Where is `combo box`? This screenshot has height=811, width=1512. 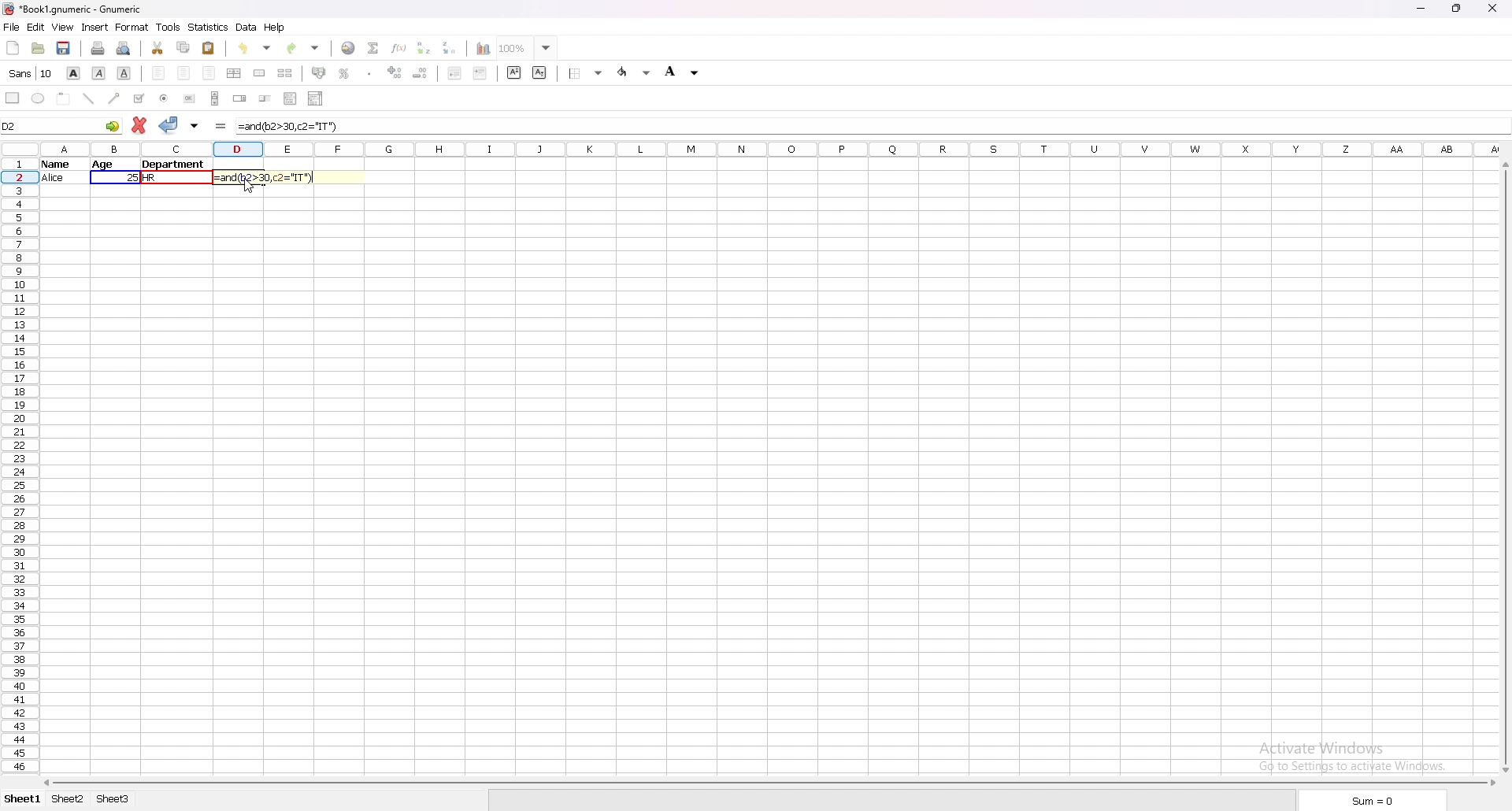
combo box is located at coordinates (316, 98).